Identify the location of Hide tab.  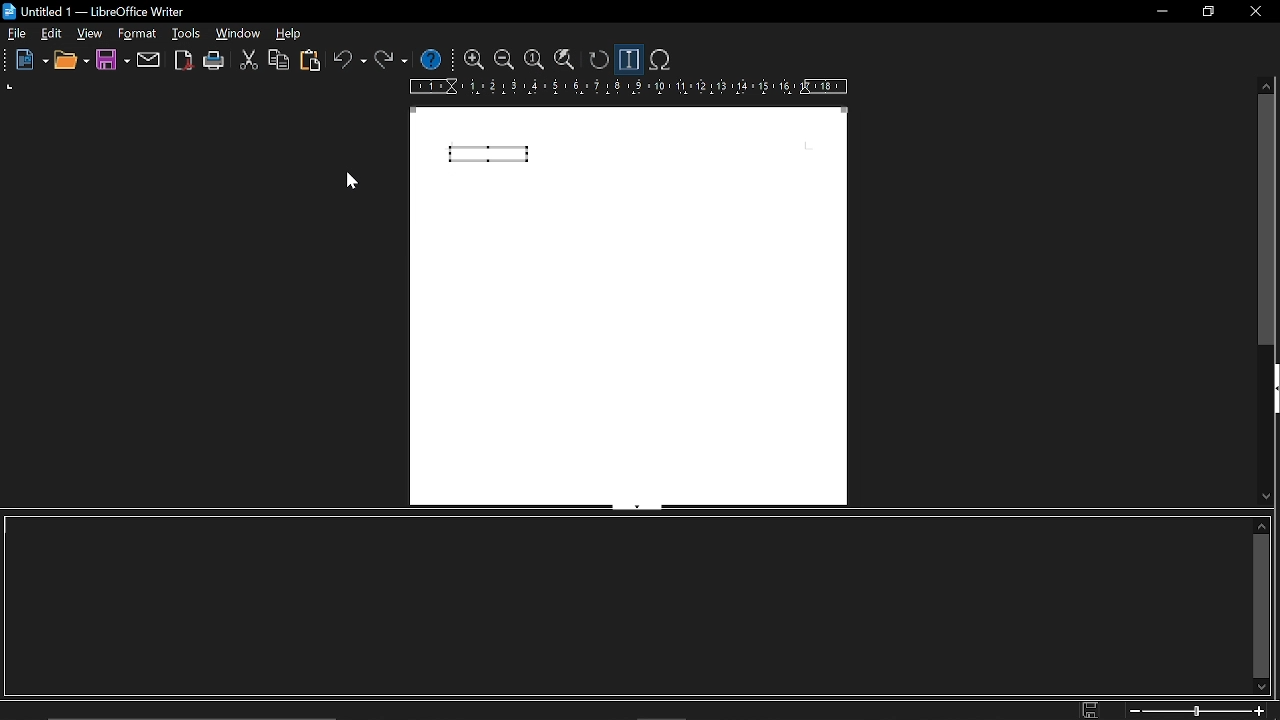
(636, 507).